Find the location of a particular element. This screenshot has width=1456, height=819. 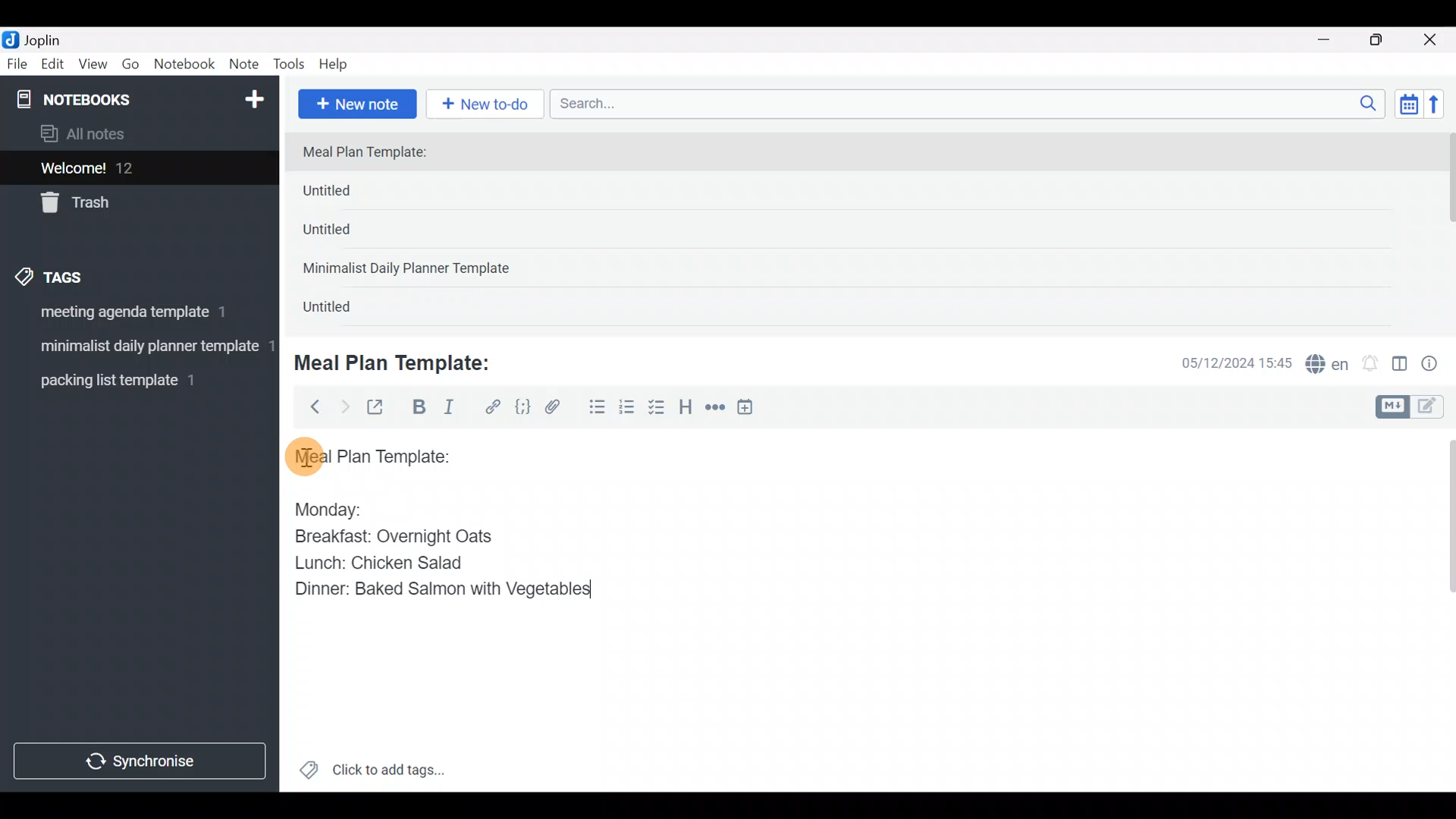

File is located at coordinates (18, 64).